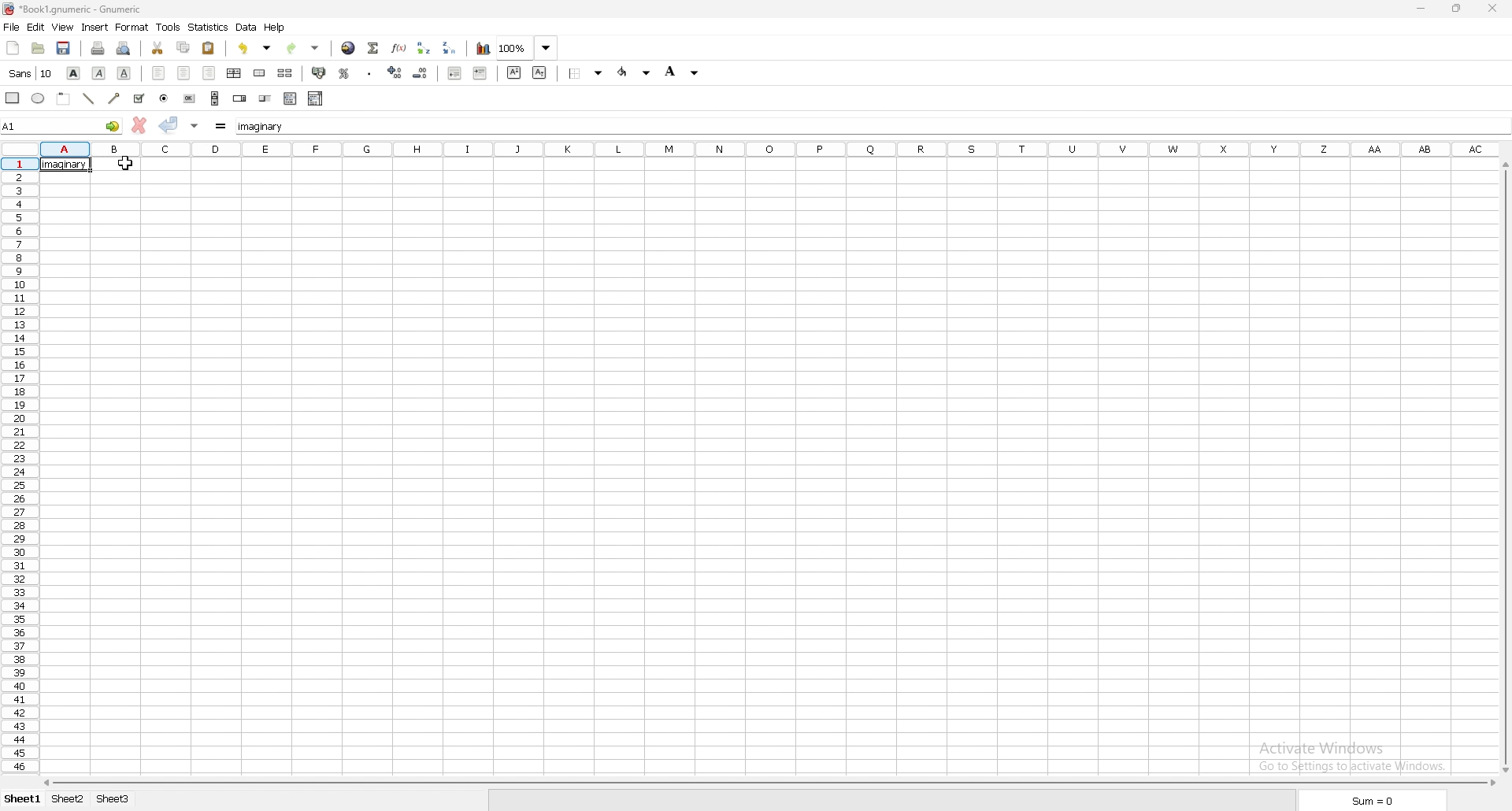 This screenshot has width=1512, height=811. What do you see at coordinates (319, 74) in the screenshot?
I see `accounting` at bounding box center [319, 74].